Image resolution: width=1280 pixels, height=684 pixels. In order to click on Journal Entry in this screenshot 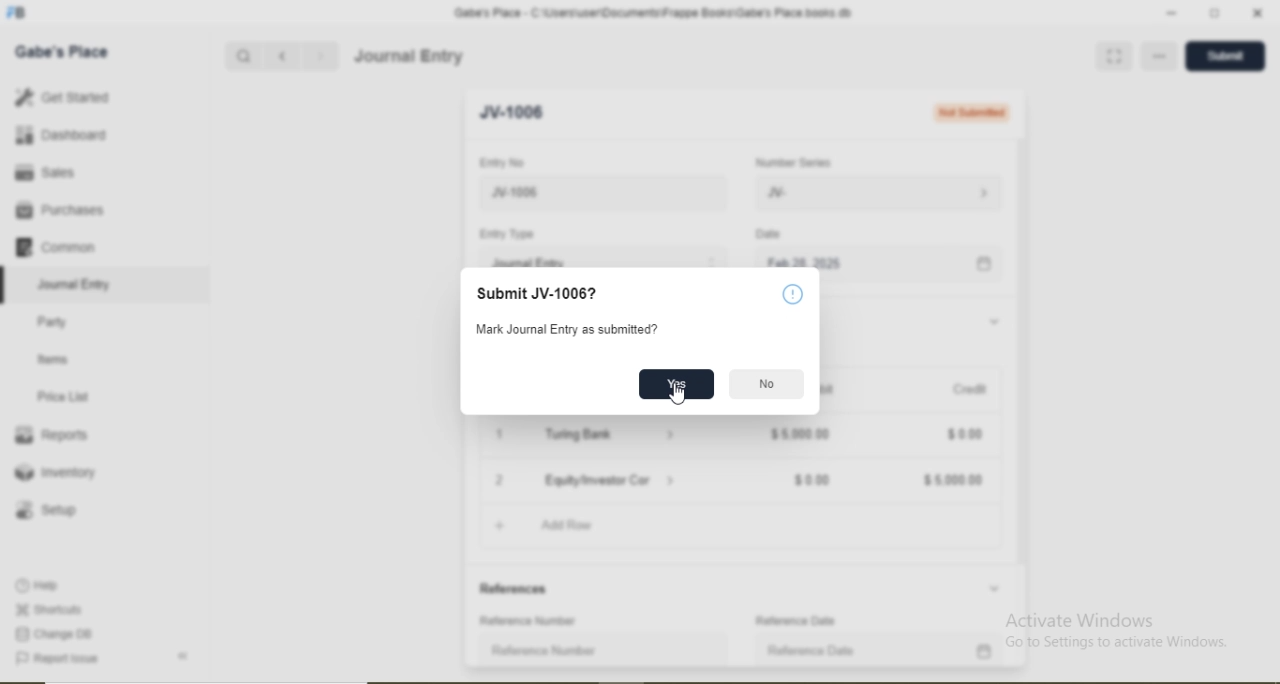, I will do `click(531, 261)`.